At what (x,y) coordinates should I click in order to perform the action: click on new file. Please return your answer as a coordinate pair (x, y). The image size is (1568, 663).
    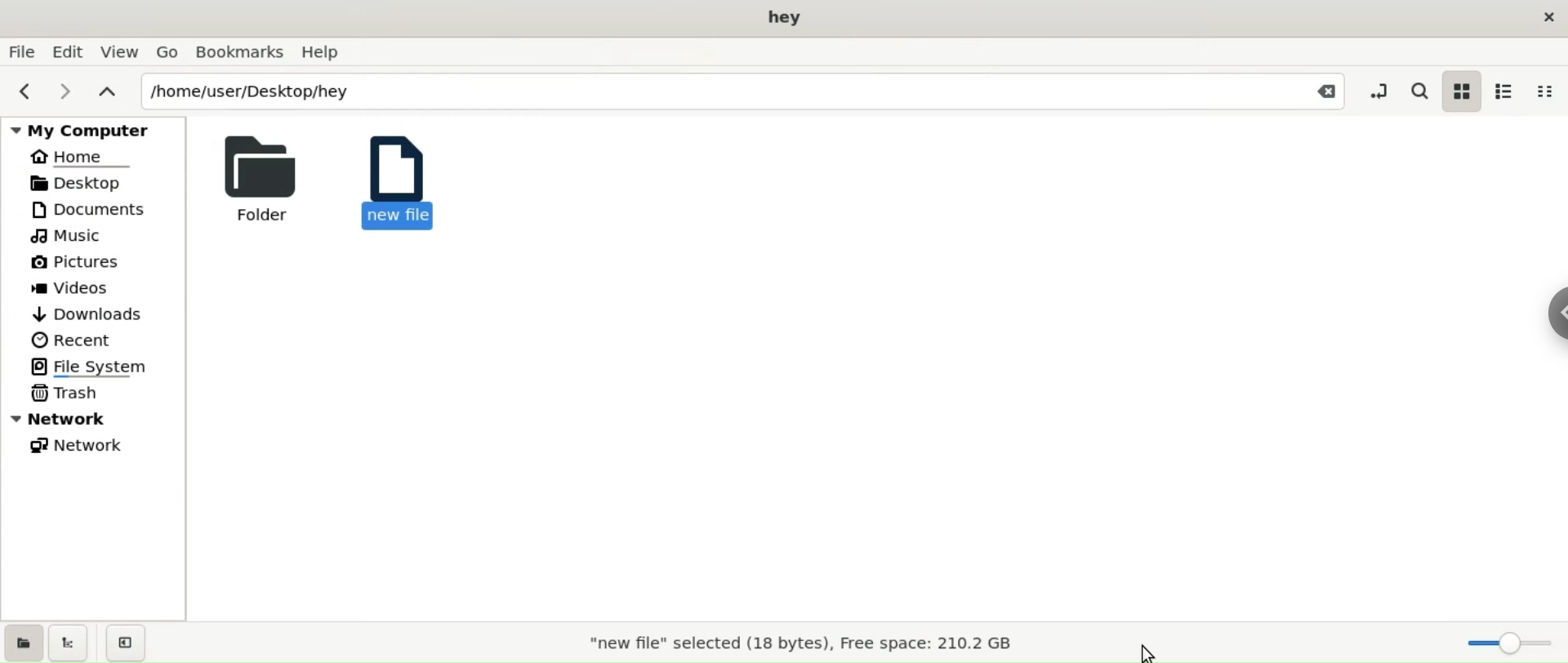
    Looking at the image, I should click on (394, 179).